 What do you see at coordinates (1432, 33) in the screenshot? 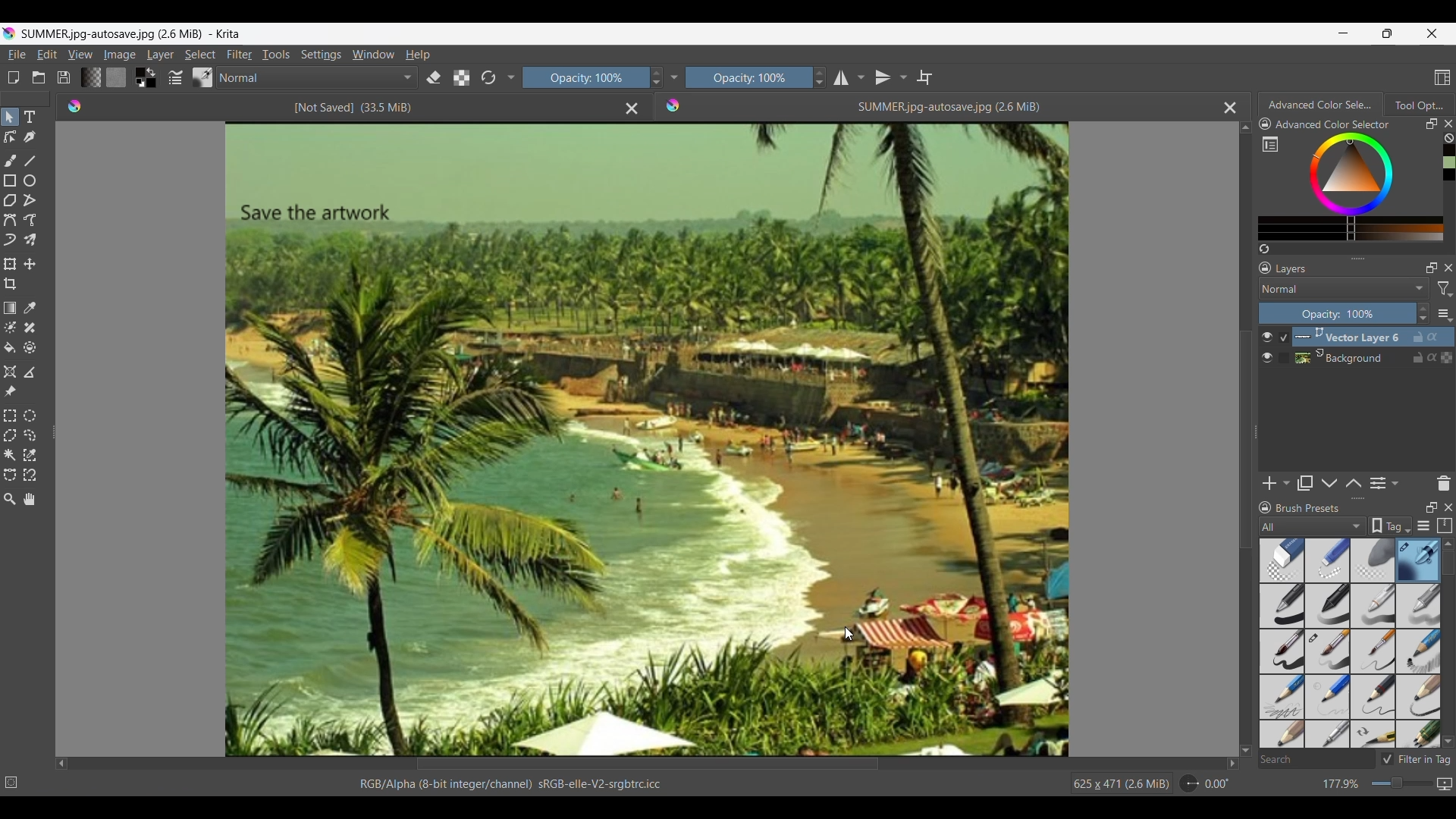
I see `Close interface` at bounding box center [1432, 33].